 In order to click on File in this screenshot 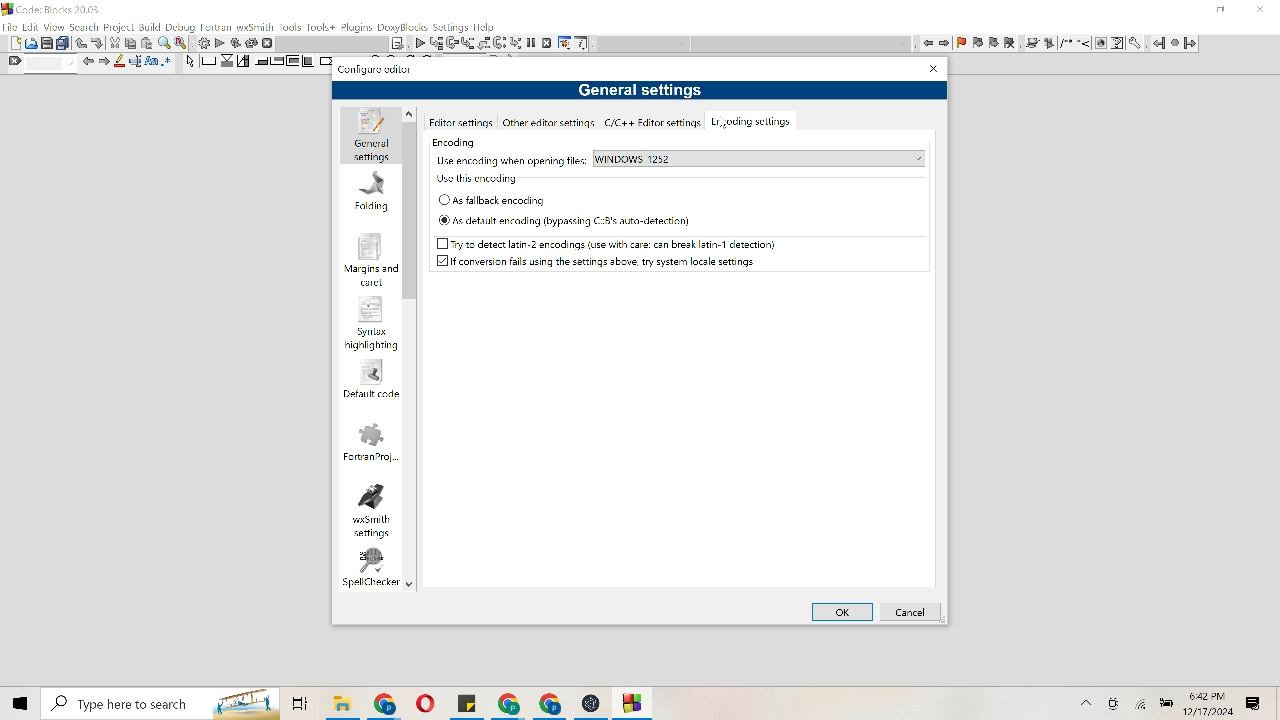, I will do `click(551, 704)`.